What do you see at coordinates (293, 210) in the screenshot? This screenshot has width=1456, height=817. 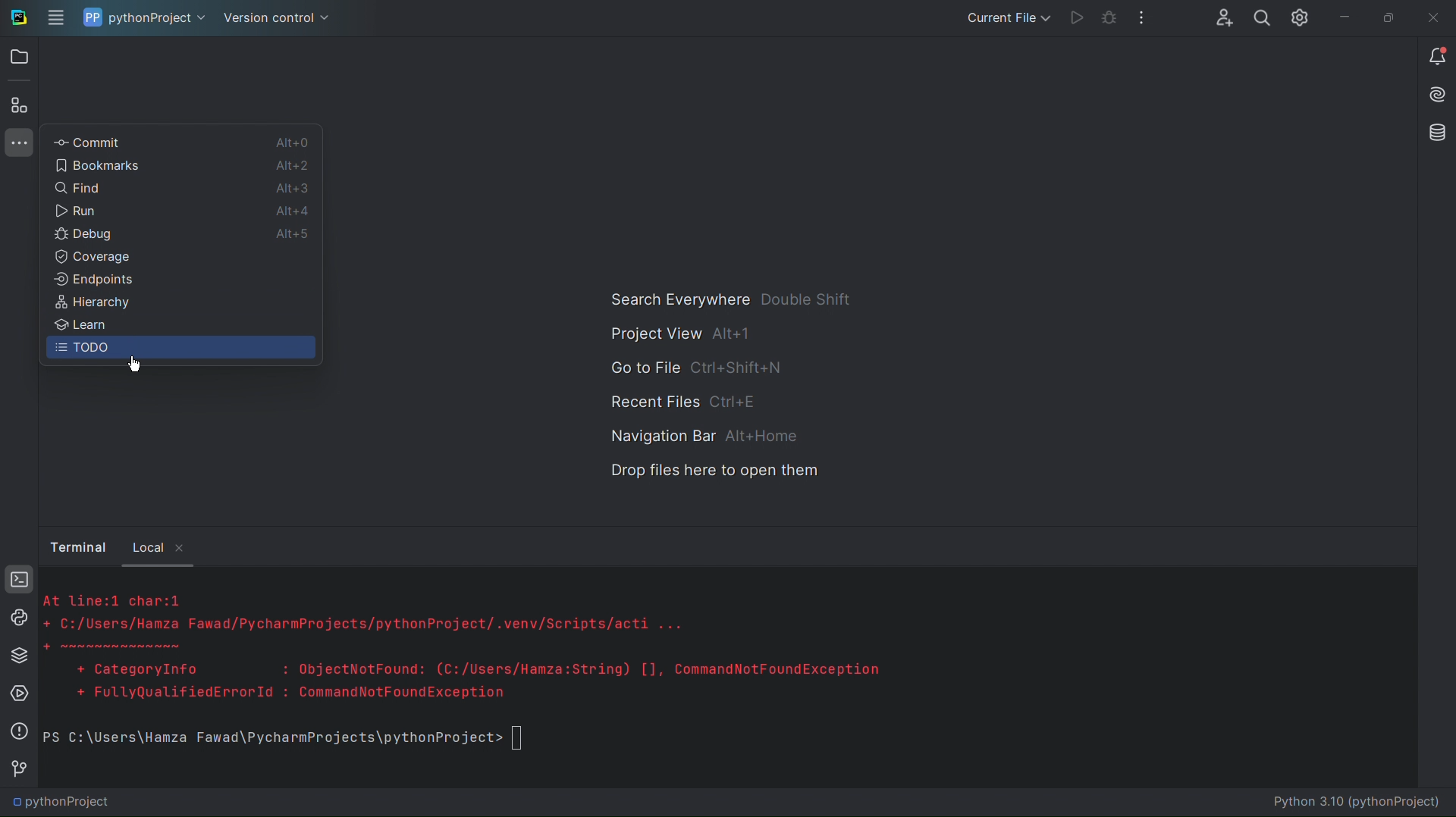 I see `alt +4` at bounding box center [293, 210].